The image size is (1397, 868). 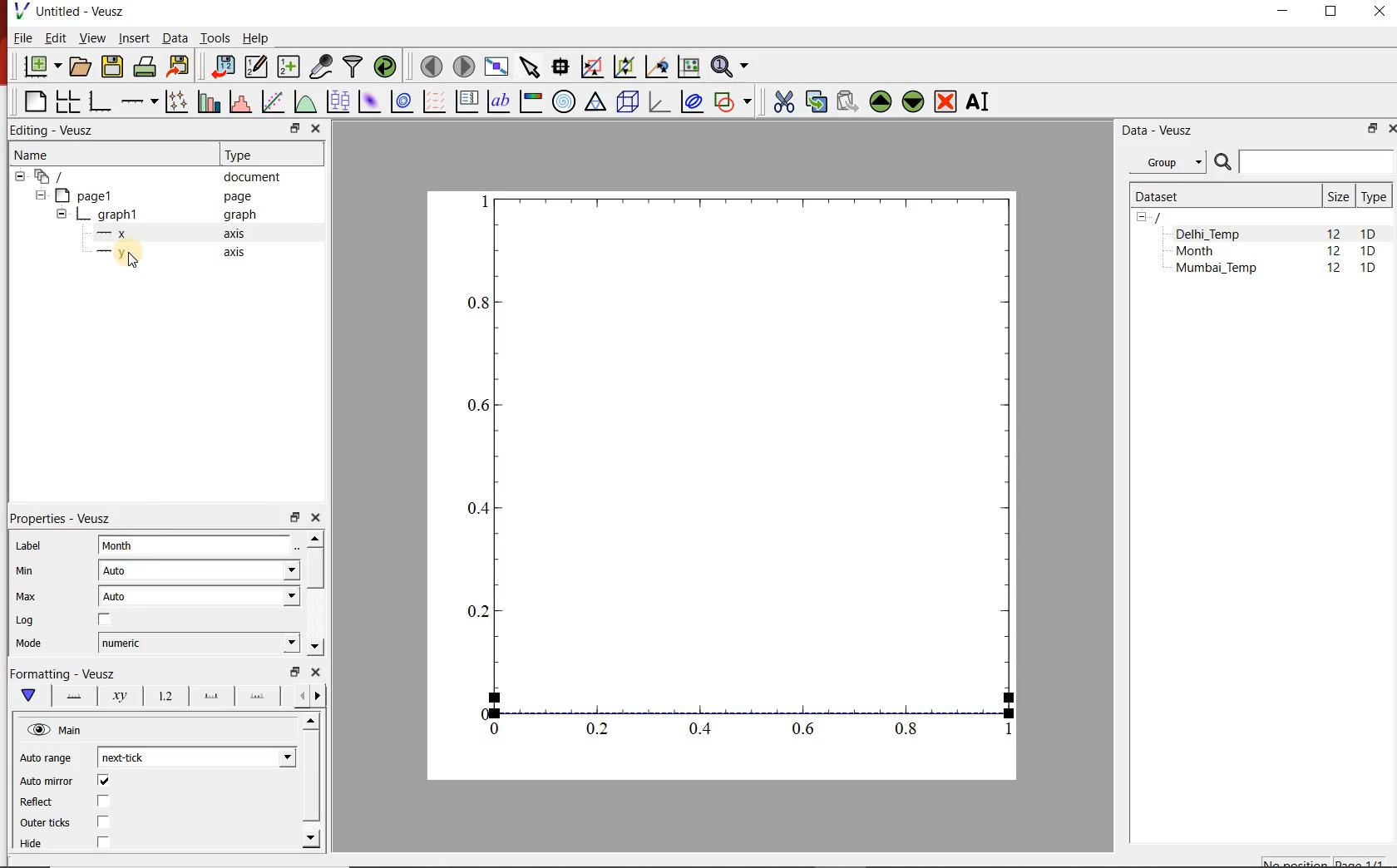 I want to click on 1D, so click(x=1368, y=252).